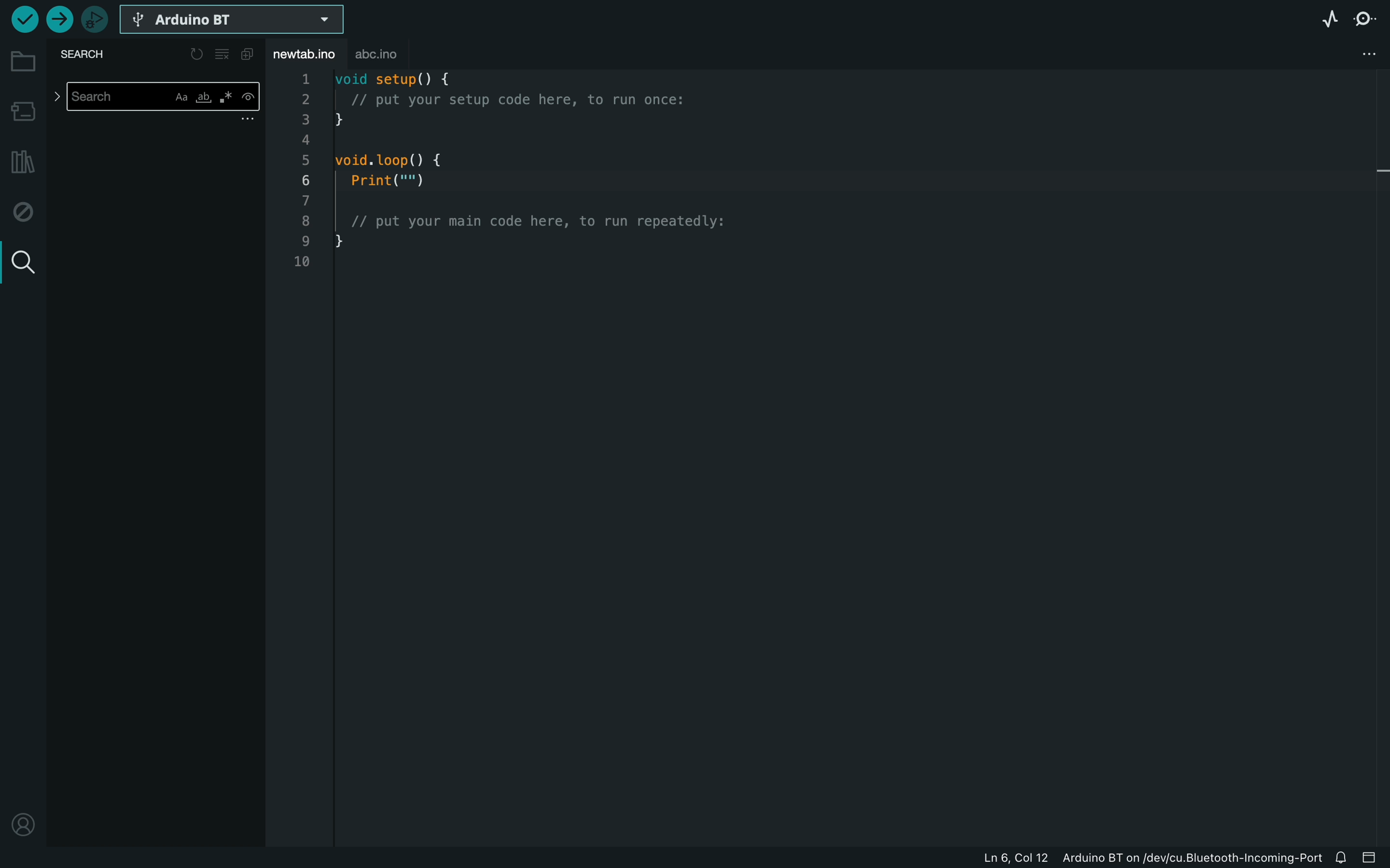 The image size is (1390, 868). Describe the element at coordinates (1327, 21) in the screenshot. I see `serial plotter` at that location.